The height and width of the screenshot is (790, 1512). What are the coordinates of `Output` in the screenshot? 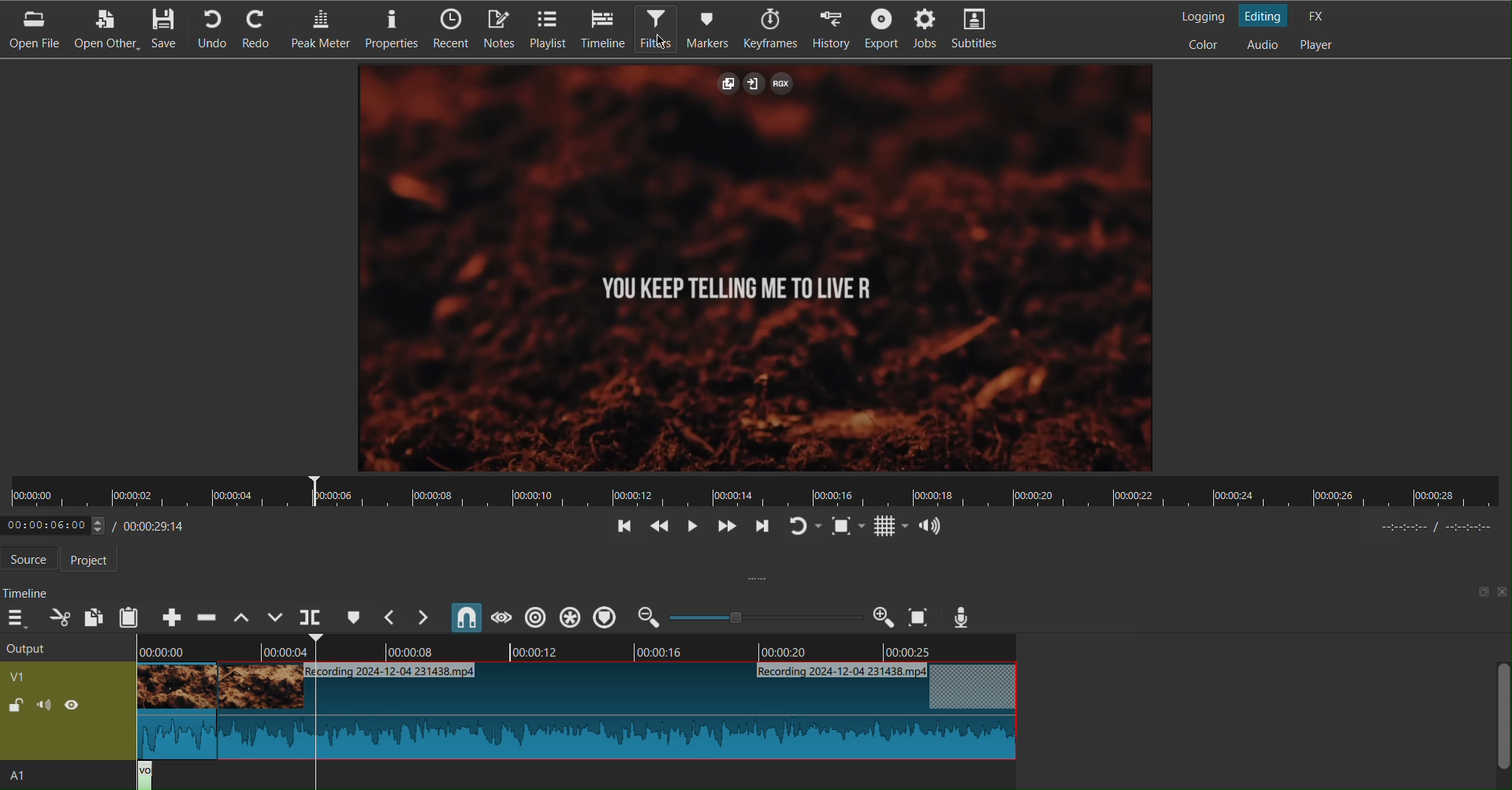 It's located at (63, 647).